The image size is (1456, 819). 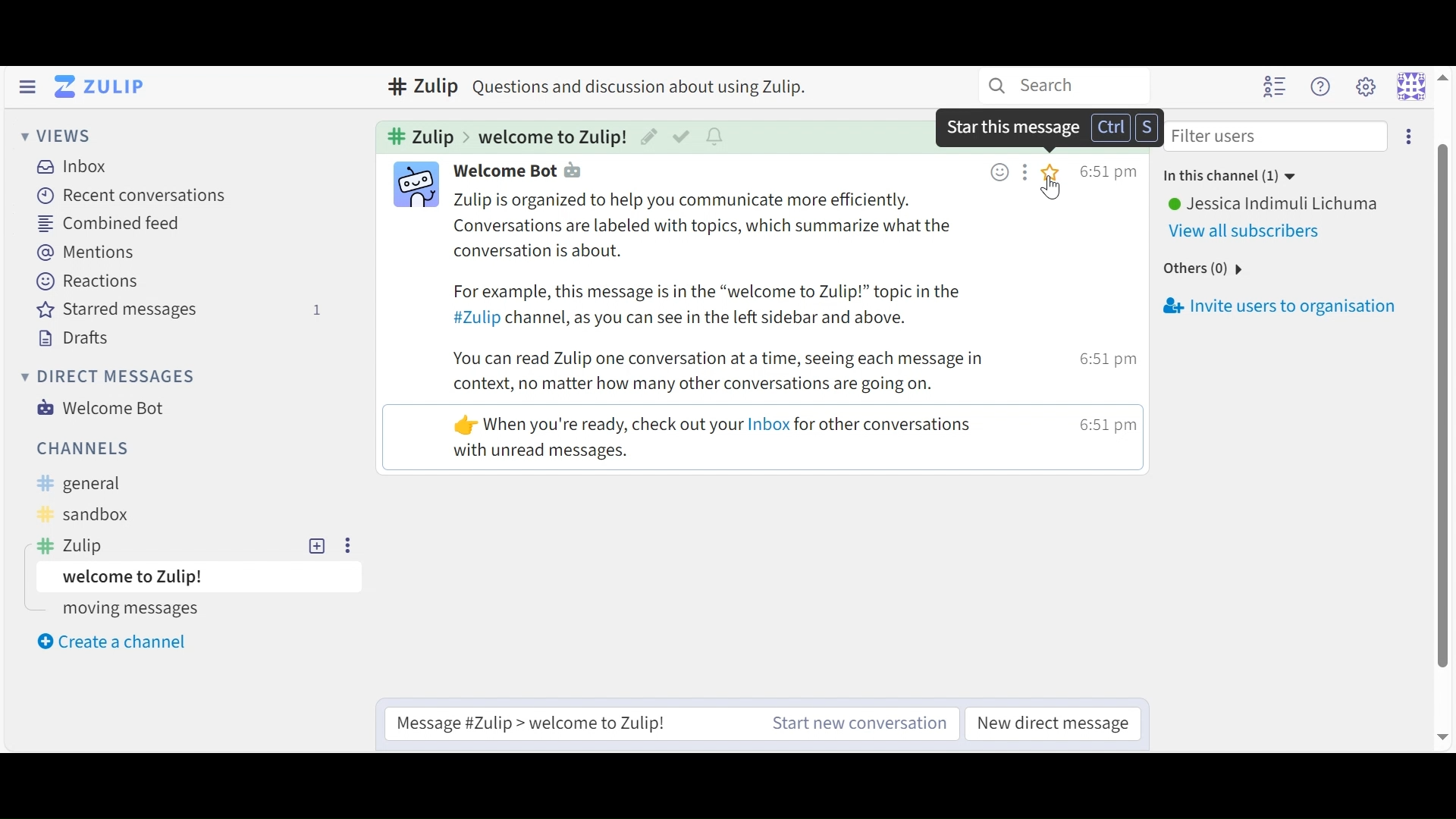 I want to click on Configure topic conversations, so click(x=715, y=136).